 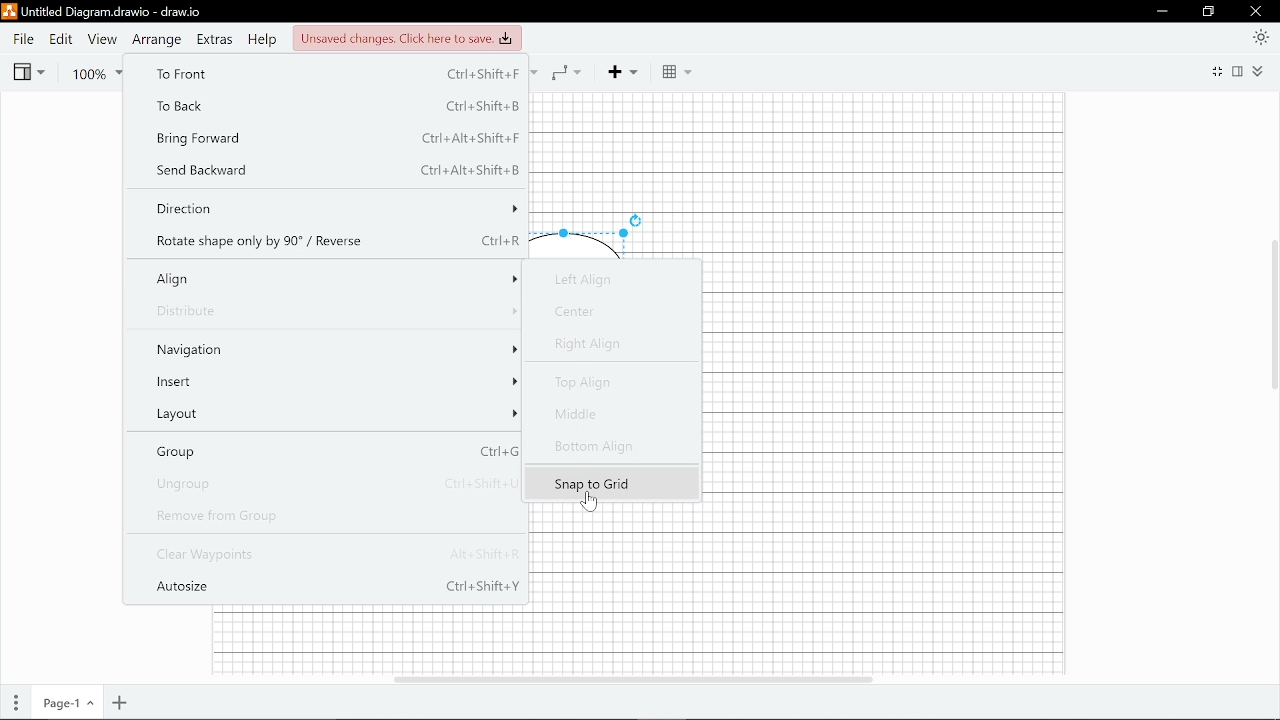 What do you see at coordinates (102, 12) in the screenshot?
I see `Current window` at bounding box center [102, 12].